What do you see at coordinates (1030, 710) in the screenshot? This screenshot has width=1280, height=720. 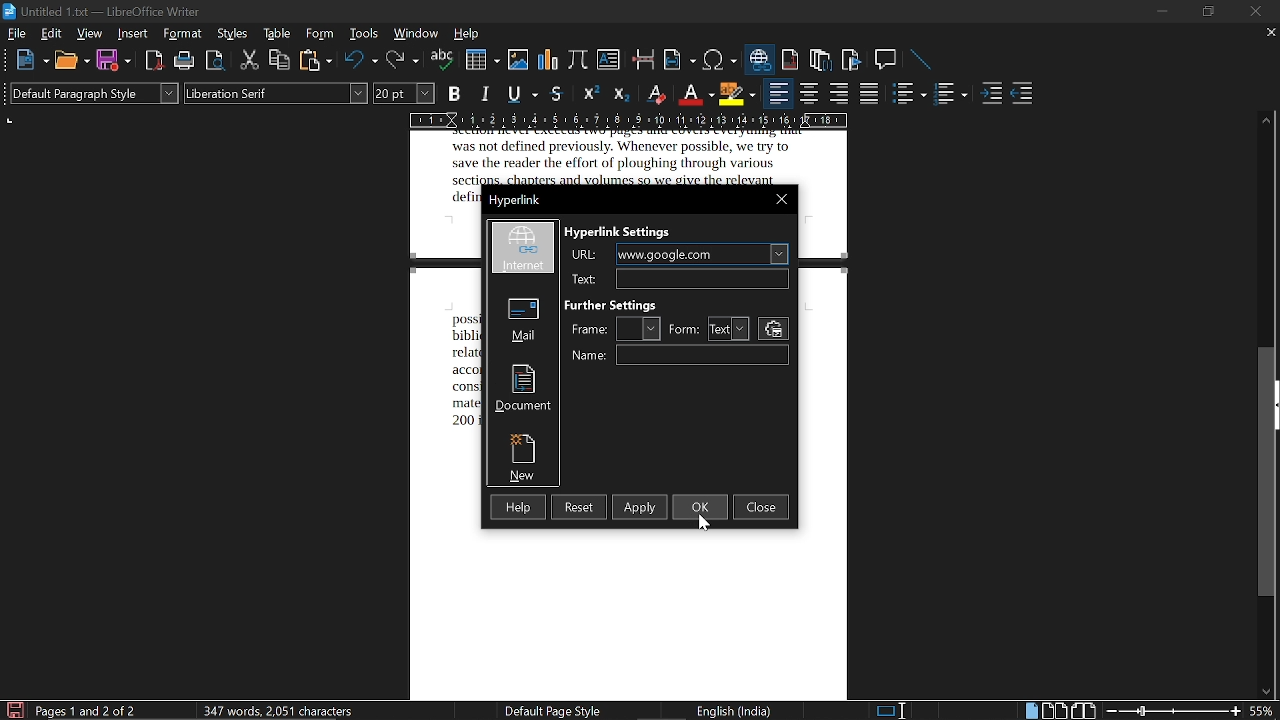 I see `single page view` at bounding box center [1030, 710].